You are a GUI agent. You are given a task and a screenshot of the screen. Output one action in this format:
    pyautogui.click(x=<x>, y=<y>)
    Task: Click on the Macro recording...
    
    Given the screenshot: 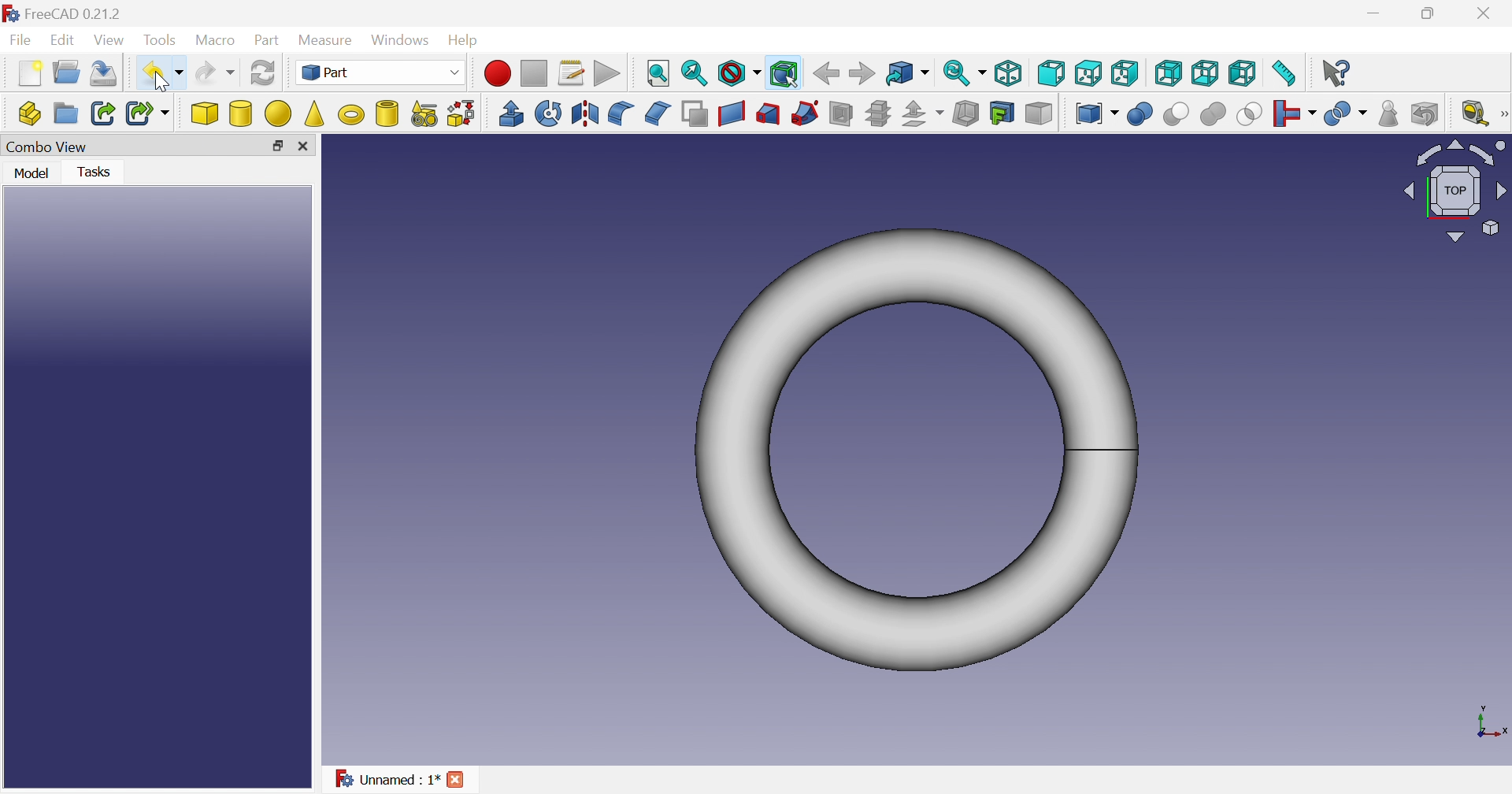 What is the action you would take?
    pyautogui.click(x=497, y=73)
    